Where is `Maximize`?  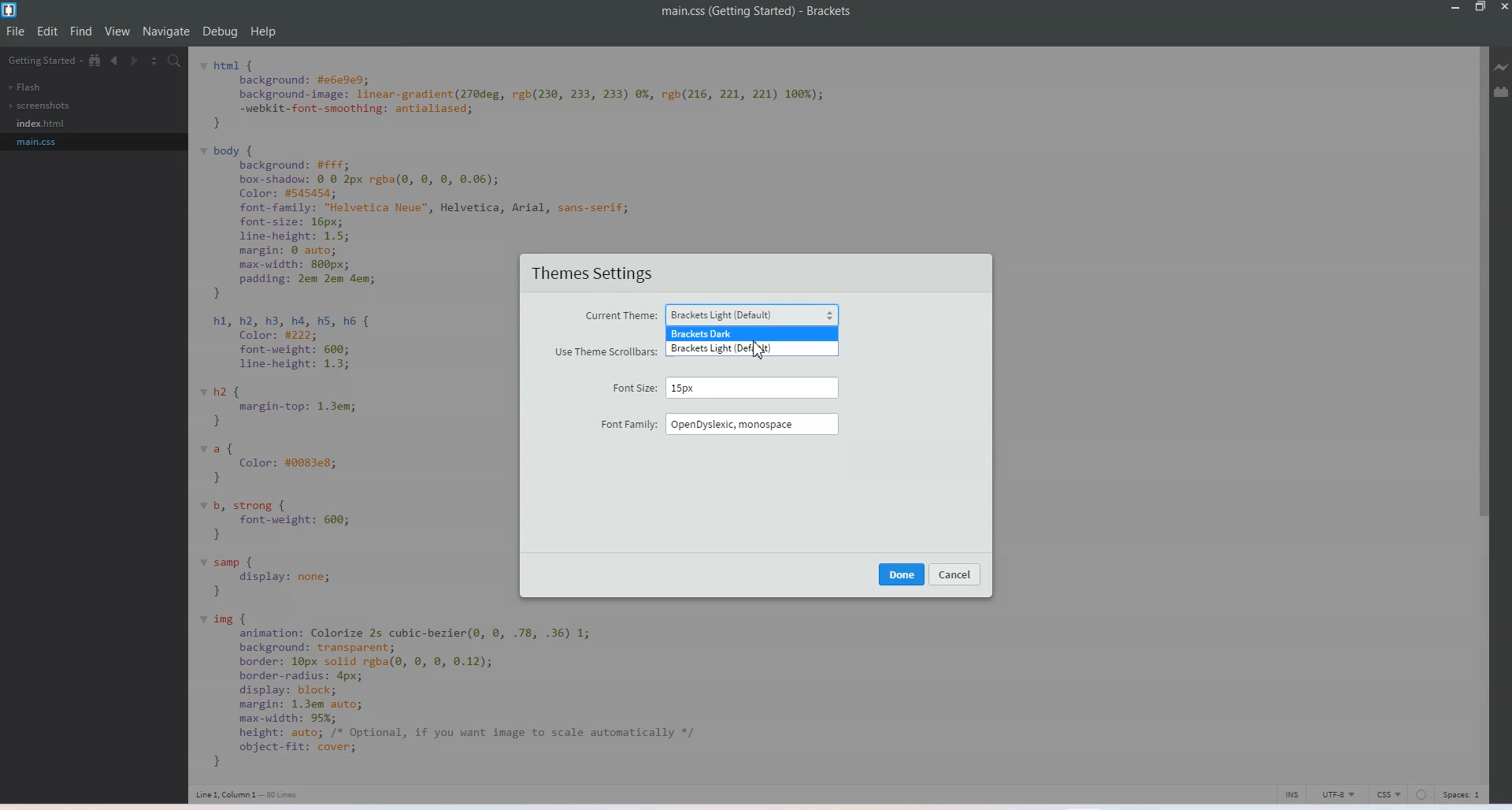
Maximize is located at coordinates (1481, 8).